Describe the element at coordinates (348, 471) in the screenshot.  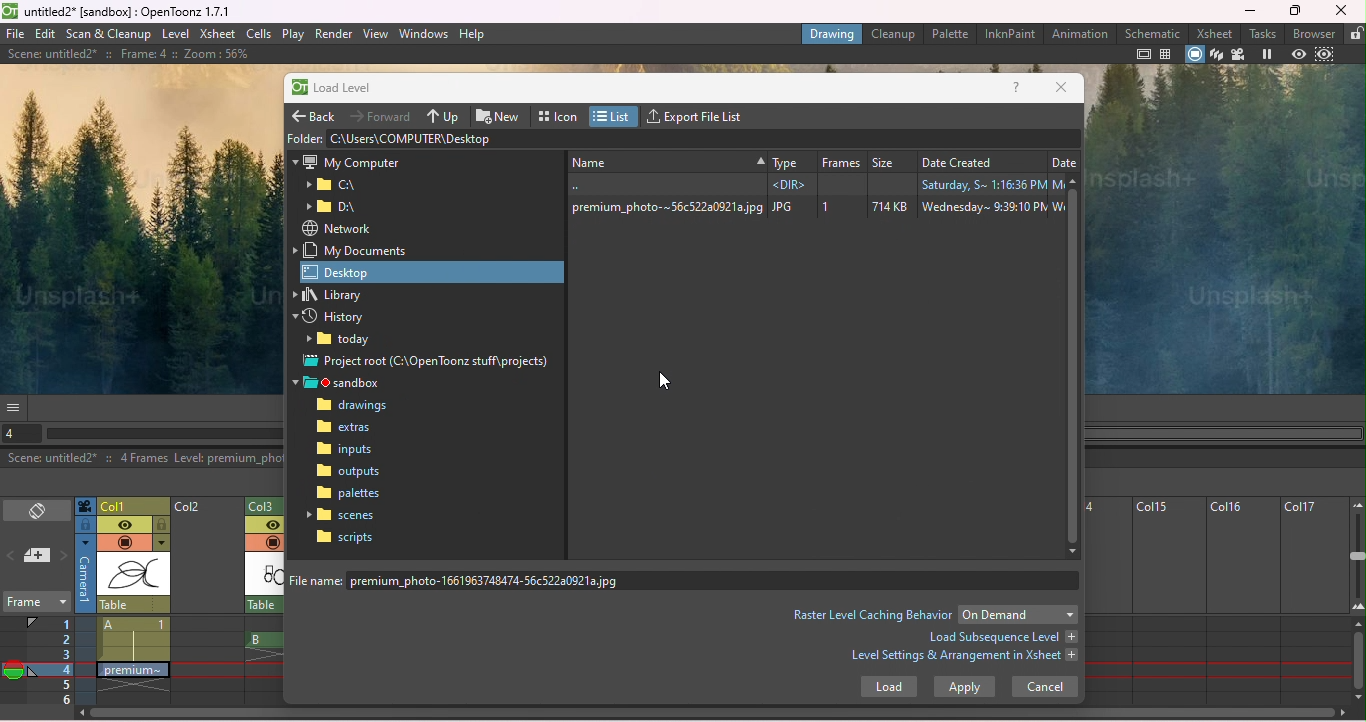
I see `Outputs` at that location.